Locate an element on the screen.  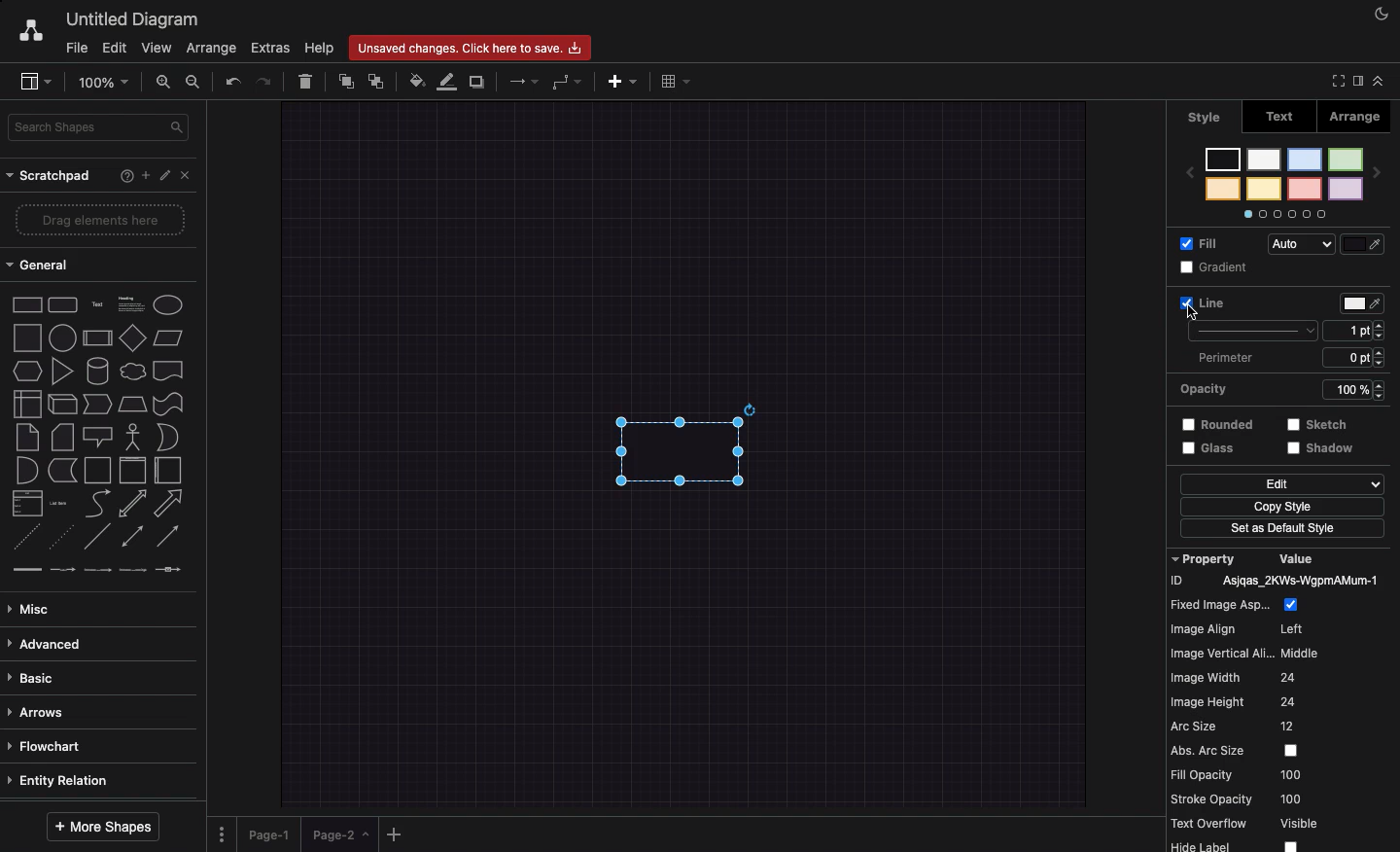
Perimeter is located at coordinates (1224, 358).